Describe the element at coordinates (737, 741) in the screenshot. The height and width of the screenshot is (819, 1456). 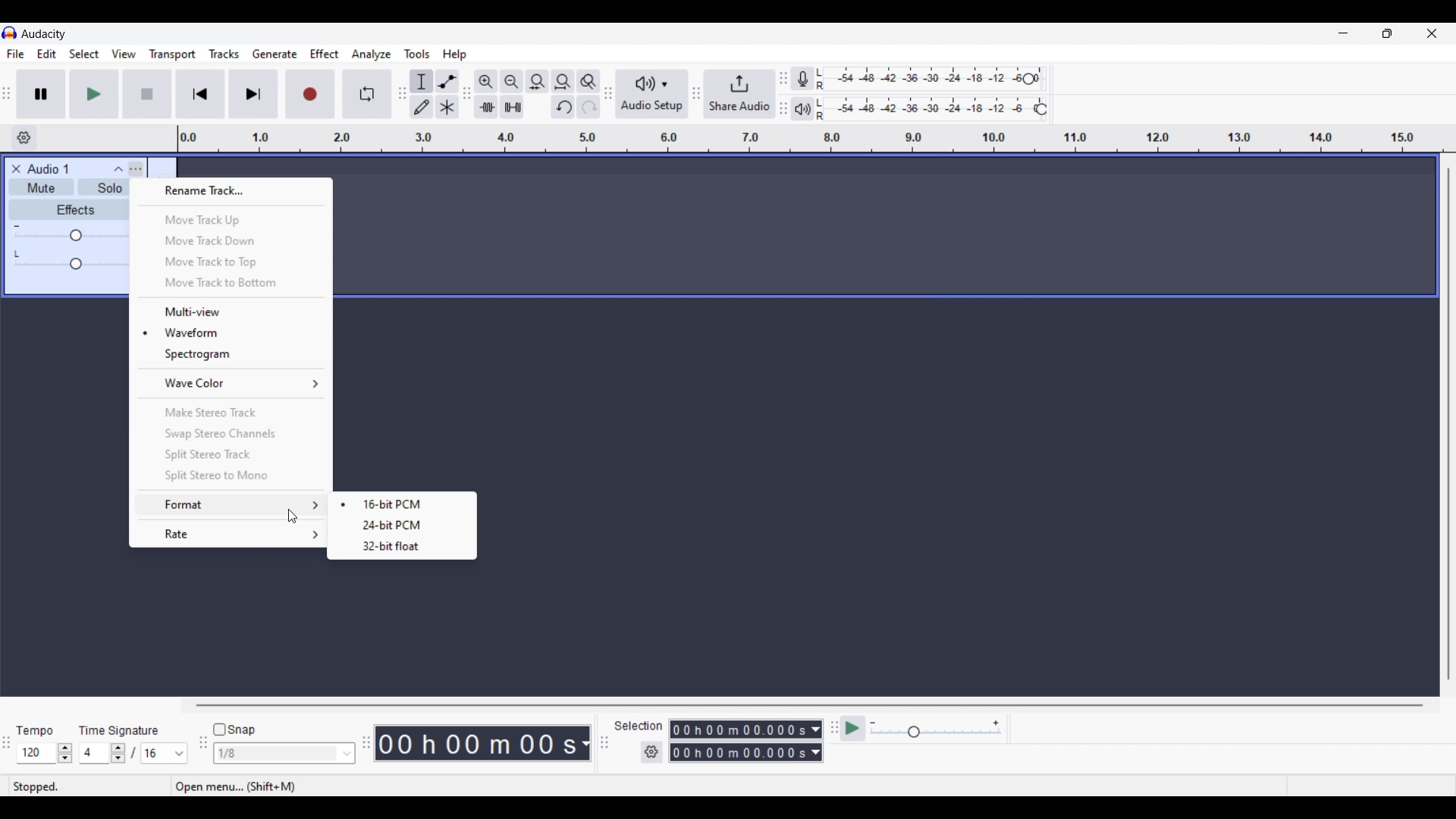
I see `Recording duration` at that location.